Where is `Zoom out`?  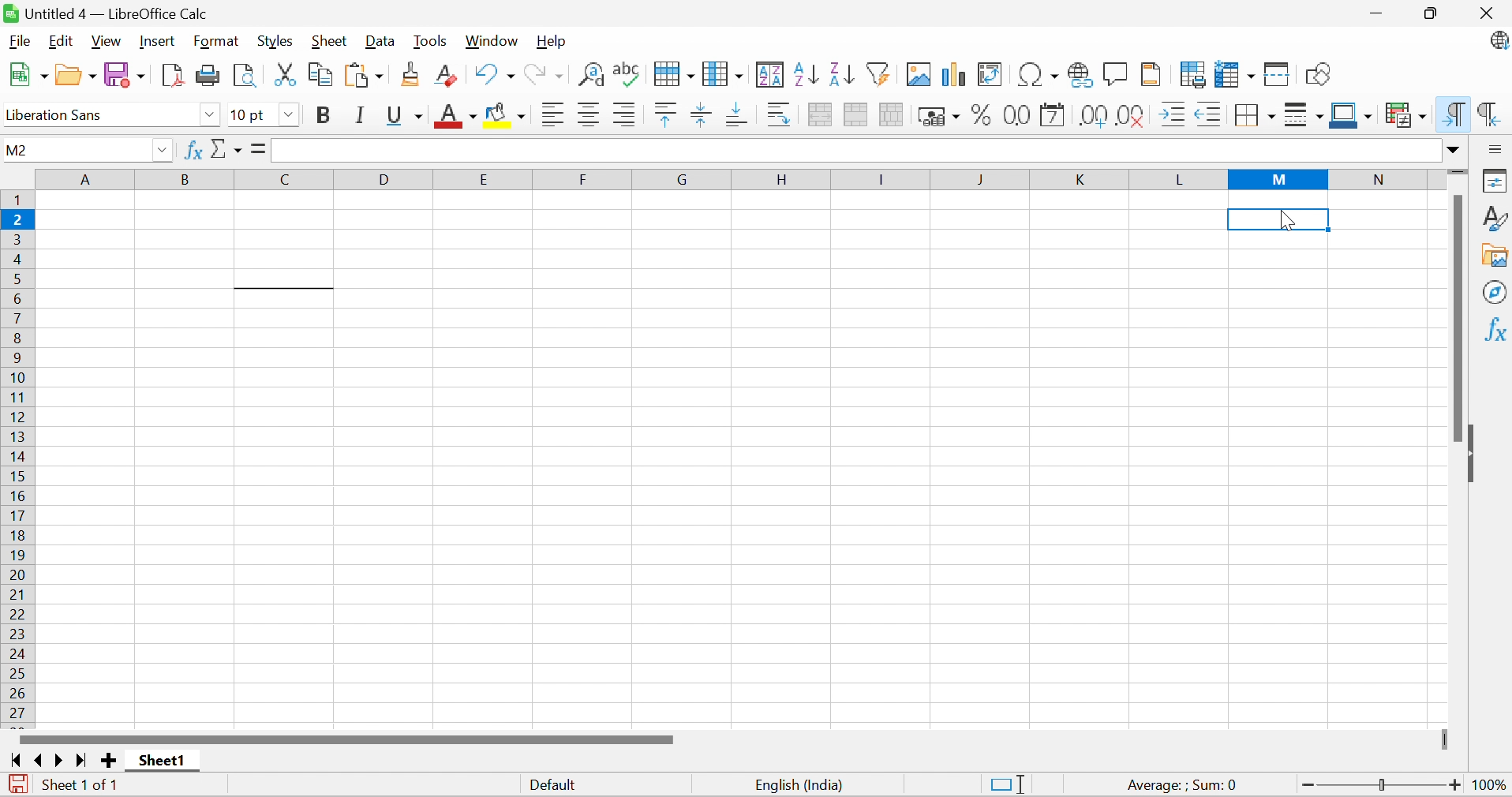 Zoom out is located at coordinates (1308, 786).